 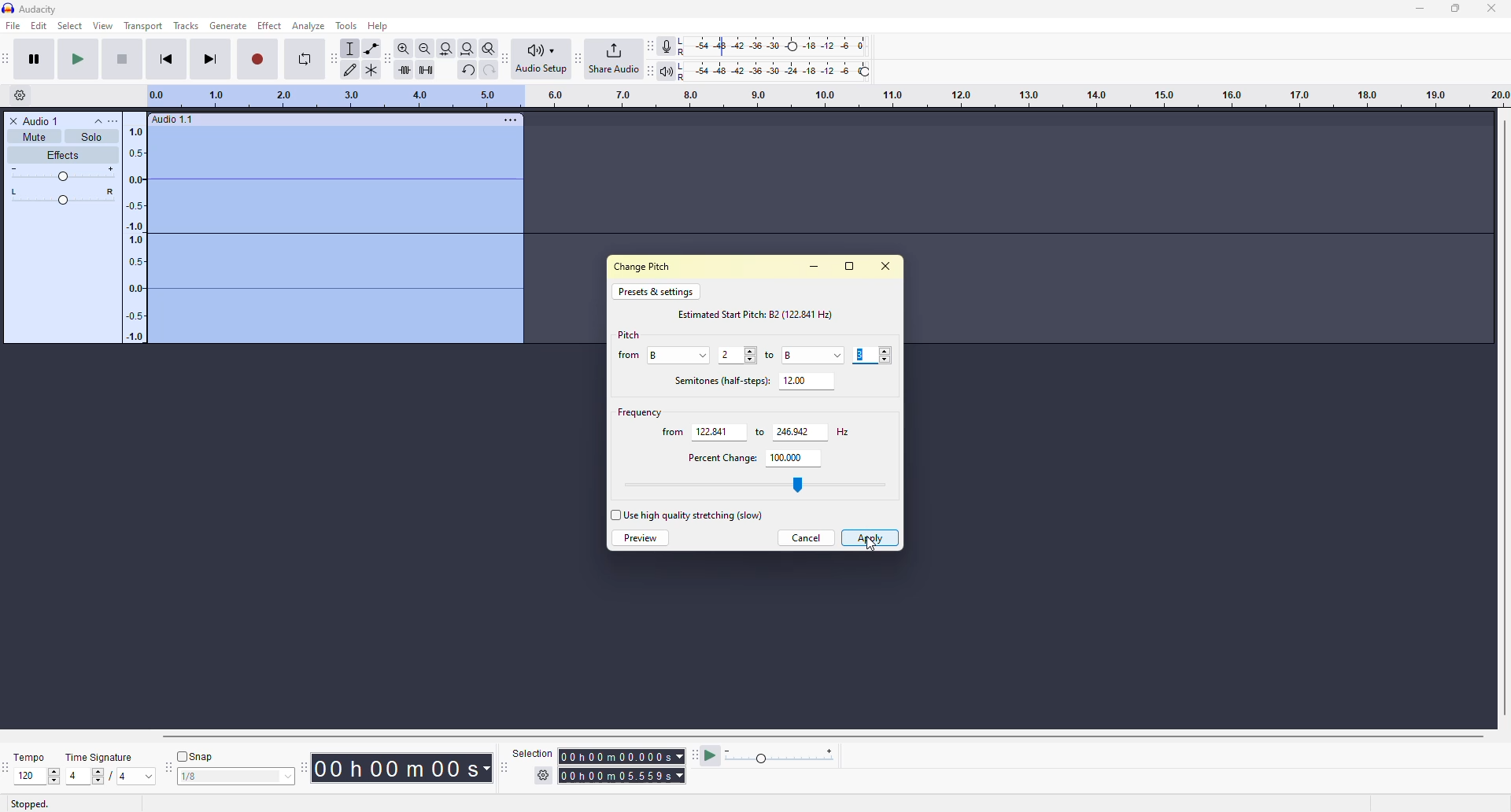 I want to click on time, so click(x=625, y=774).